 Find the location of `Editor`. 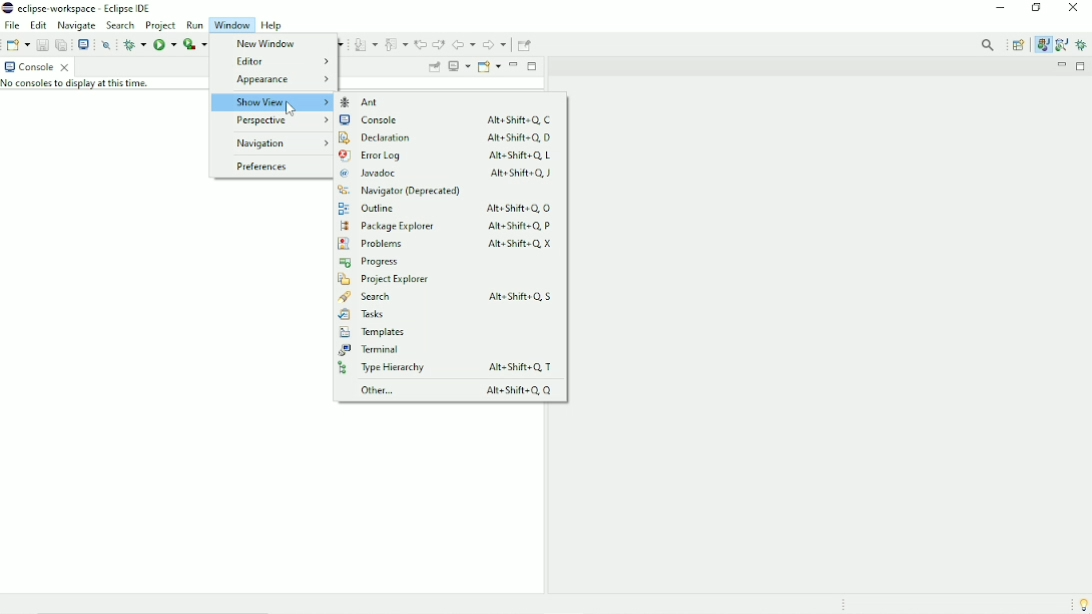

Editor is located at coordinates (280, 62).